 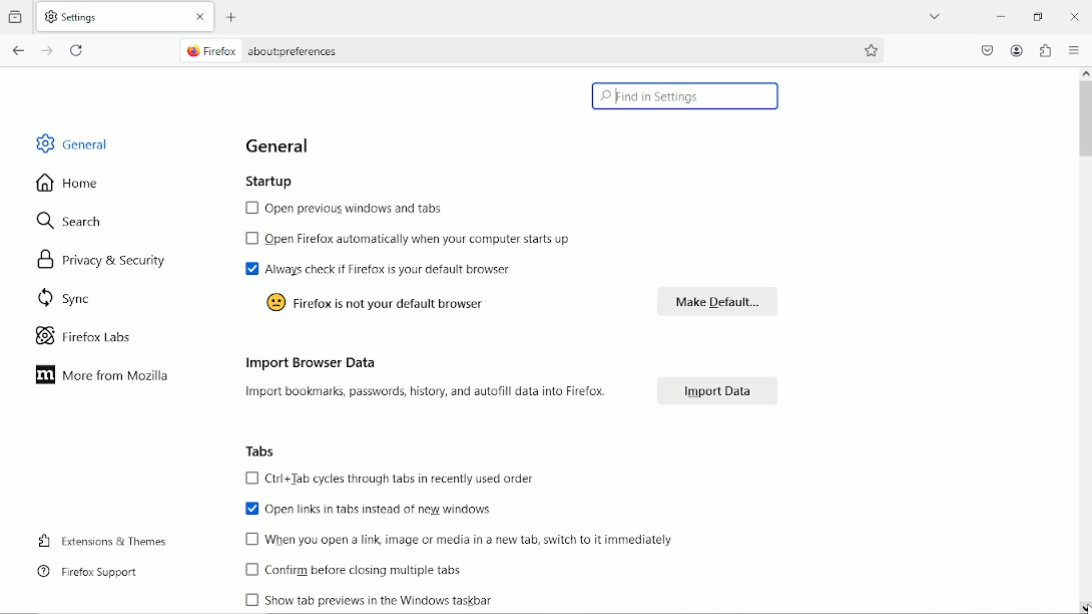 What do you see at coordinates (282, 146) in the screenshot?
I see `General` at bounding box center [282, 146].